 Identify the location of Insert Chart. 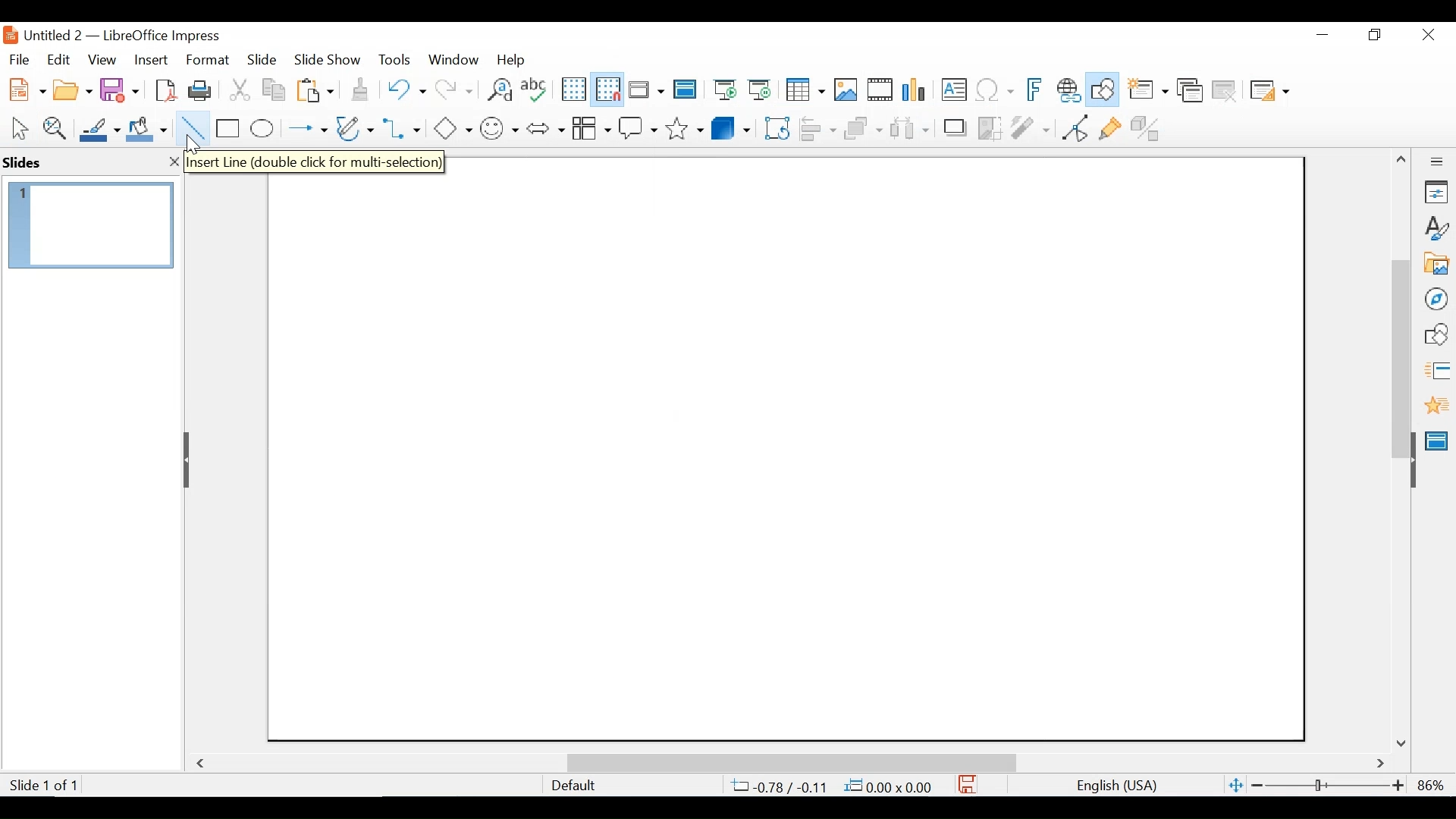
(916, 91).